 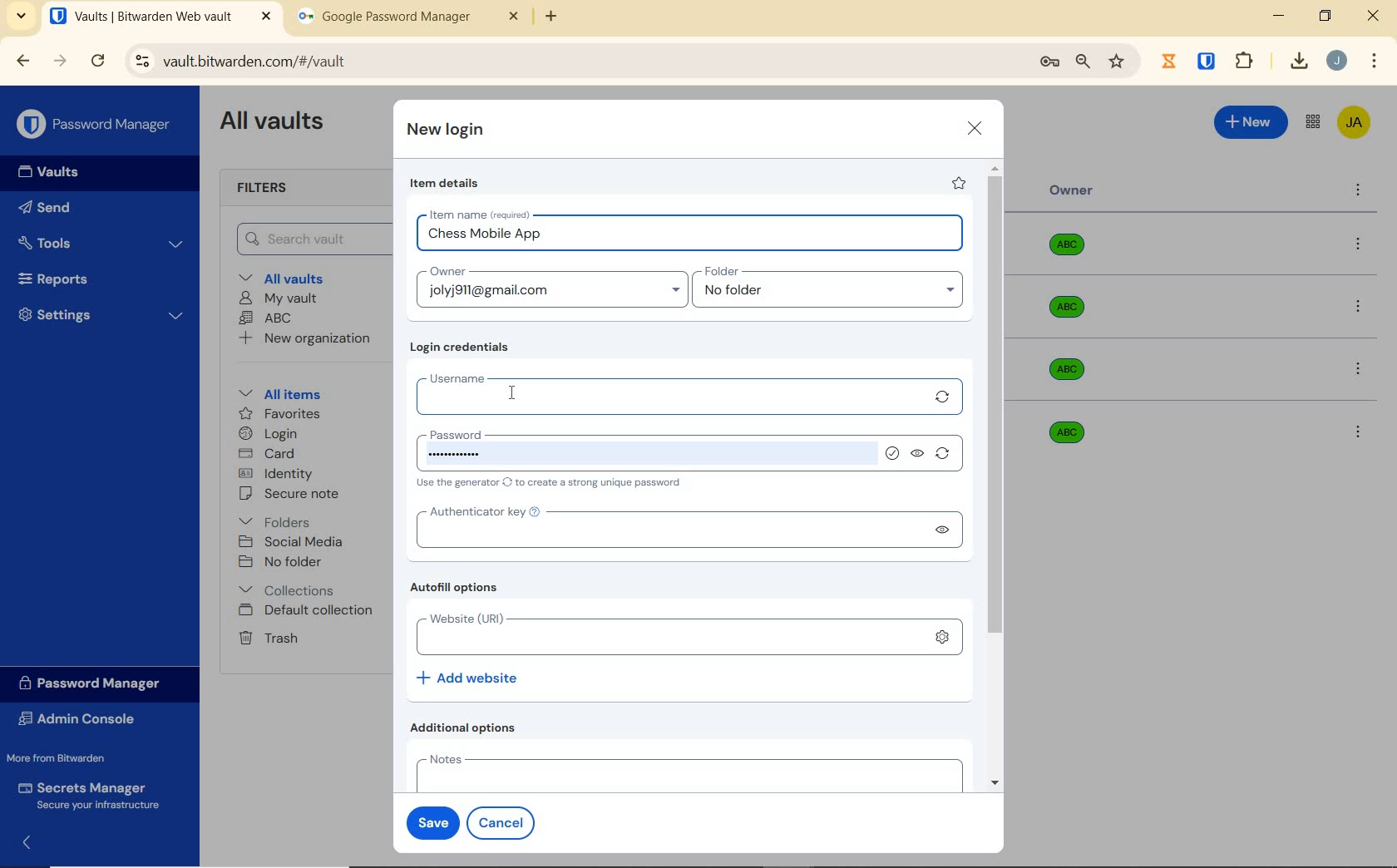 I want to click on Folder, so click(x=822, y=272).